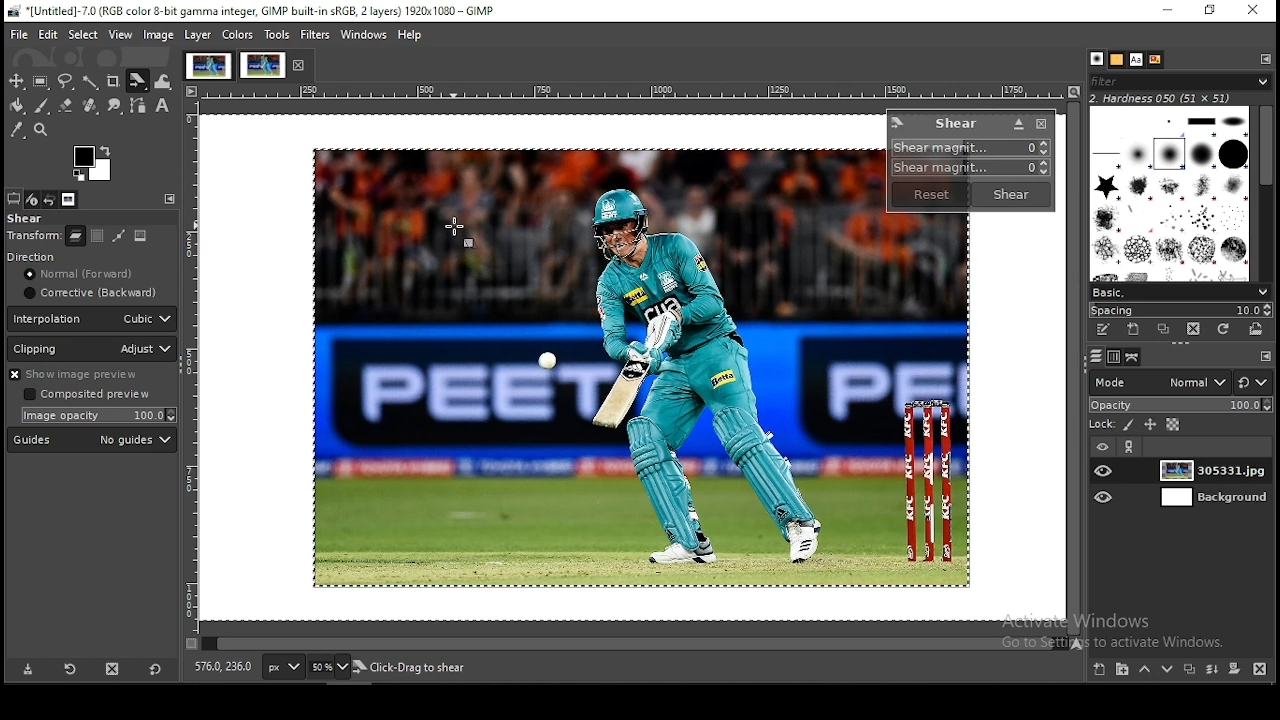 This screenshot has width=1280, height=720. What do you see at coordinates (1174, 99) in the screenshot?
I see `hardness 050 (51x51)` at bounding box center [1174, 99].